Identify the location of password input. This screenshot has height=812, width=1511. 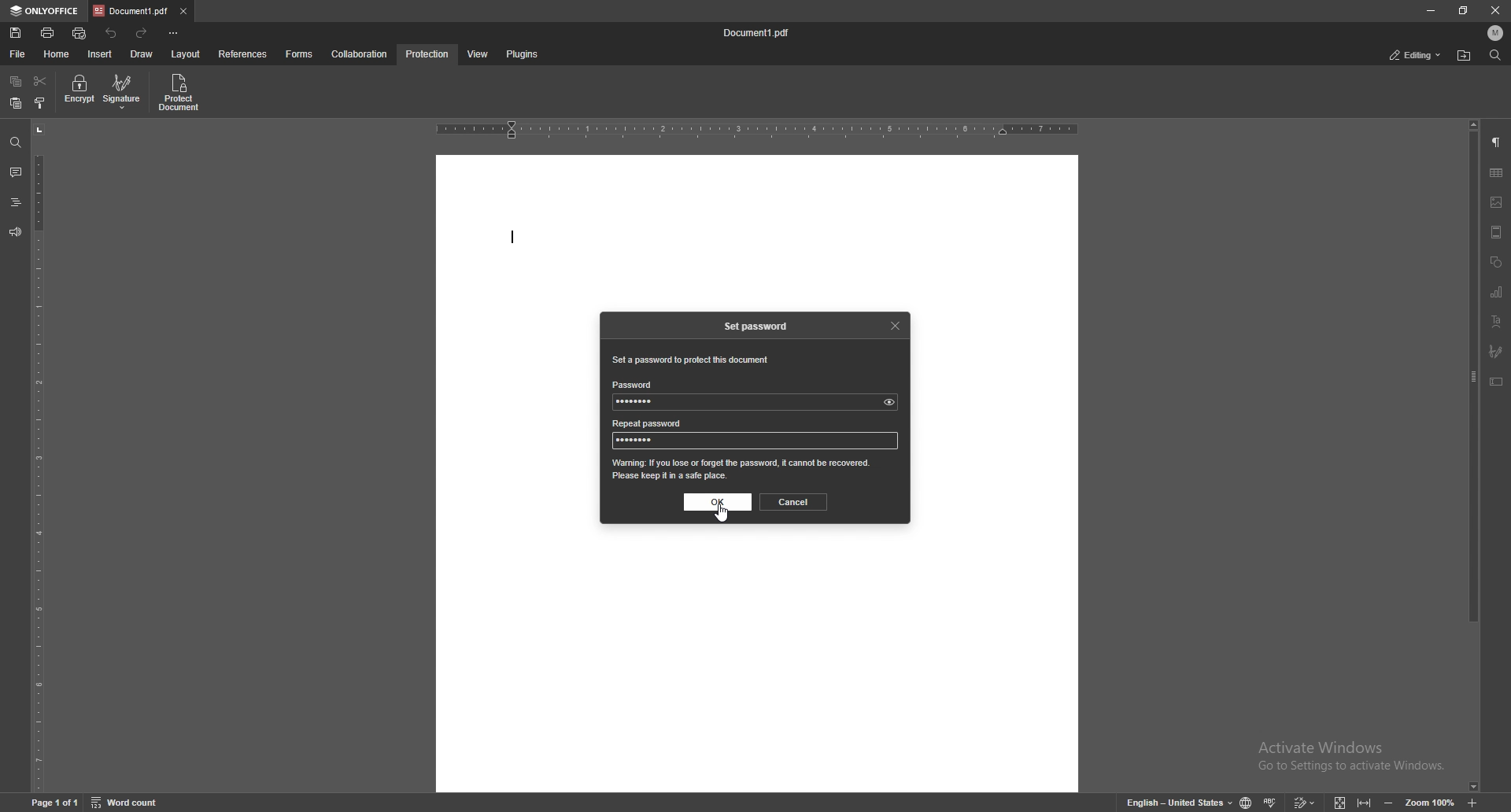
(753, 405).